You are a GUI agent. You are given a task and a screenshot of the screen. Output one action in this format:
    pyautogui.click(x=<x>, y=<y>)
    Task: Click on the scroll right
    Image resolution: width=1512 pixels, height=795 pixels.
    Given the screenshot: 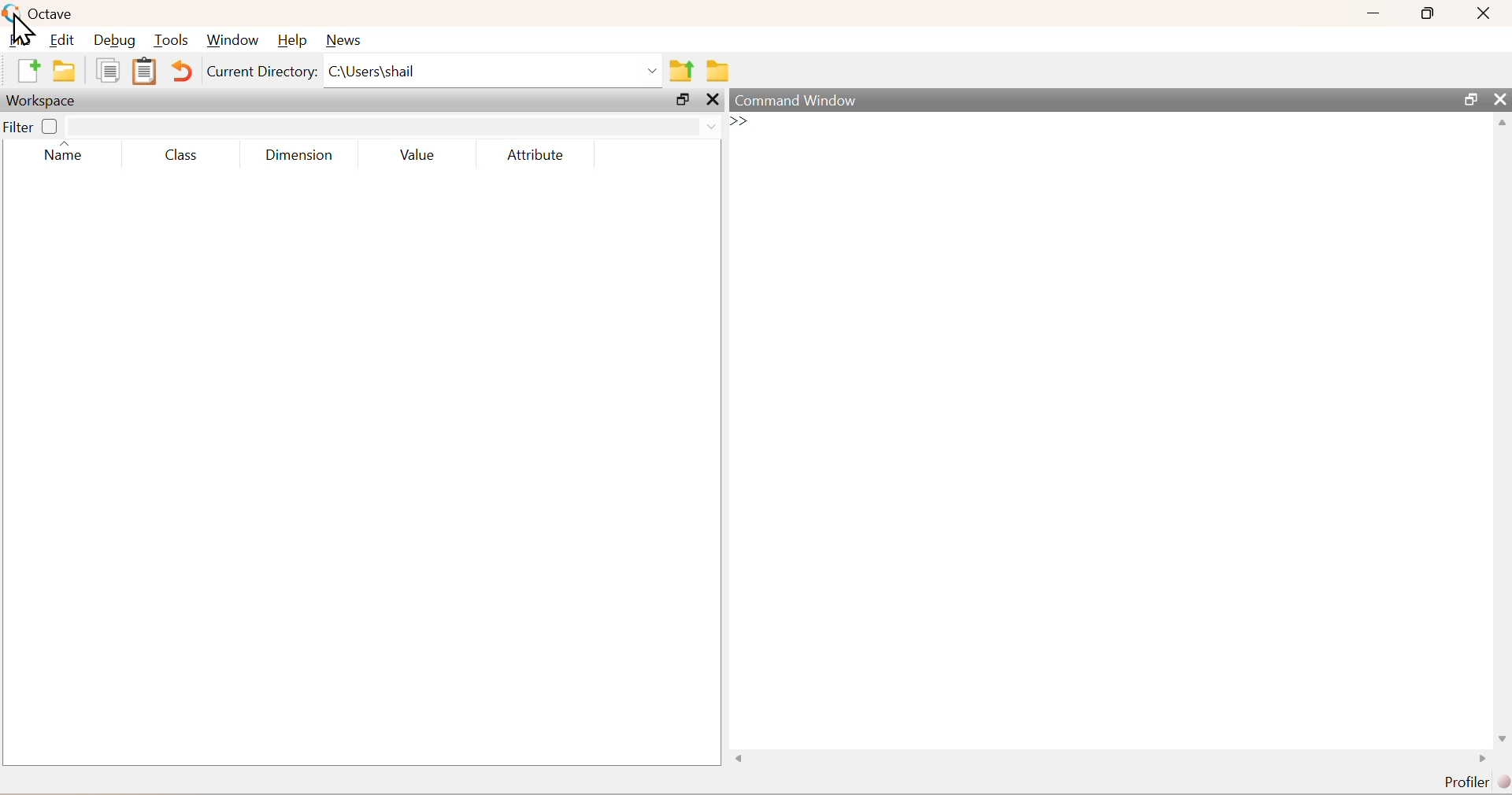 What is the action you would take?
    pyautogui.click(x=739, y=758)
    